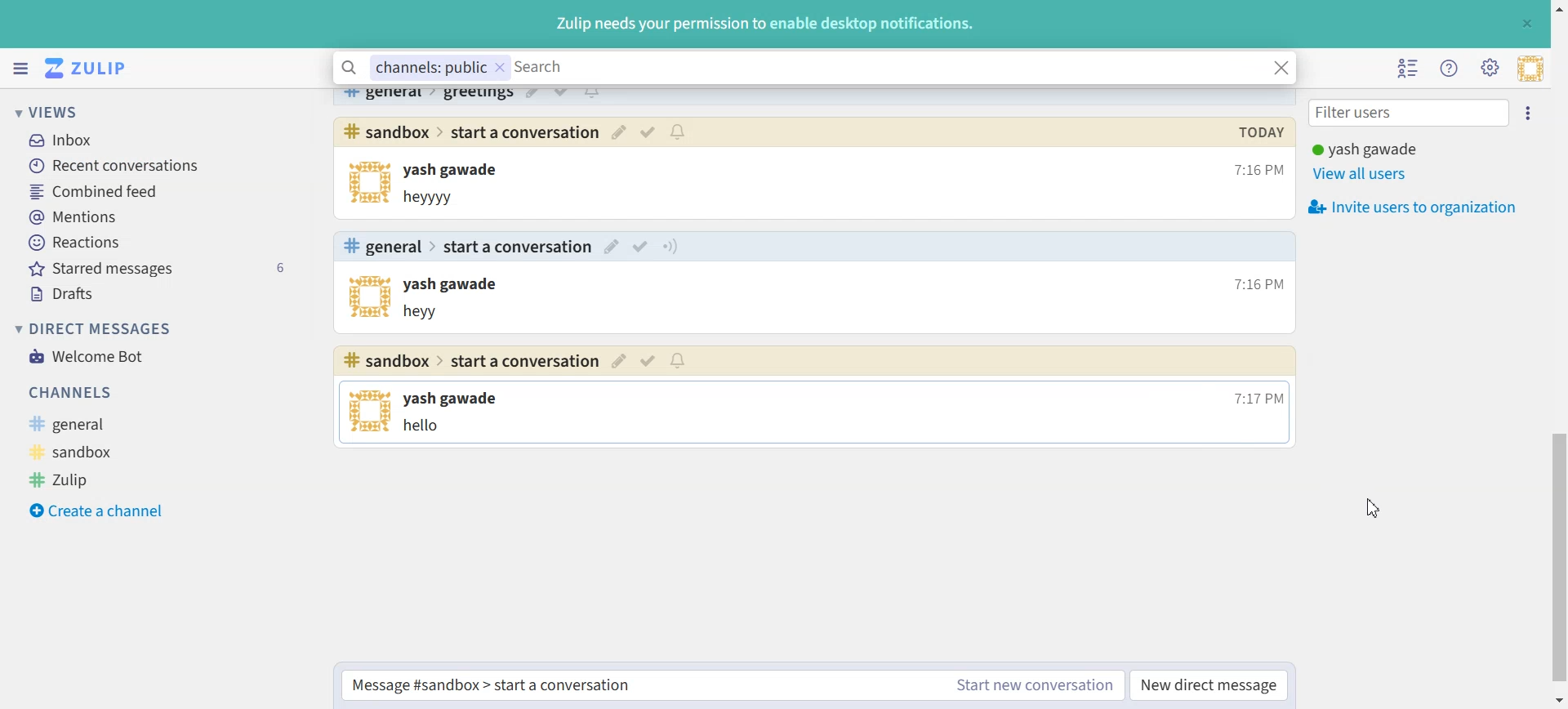 The image size is (1568, 709). I want to click on Views, so click(69, 111).